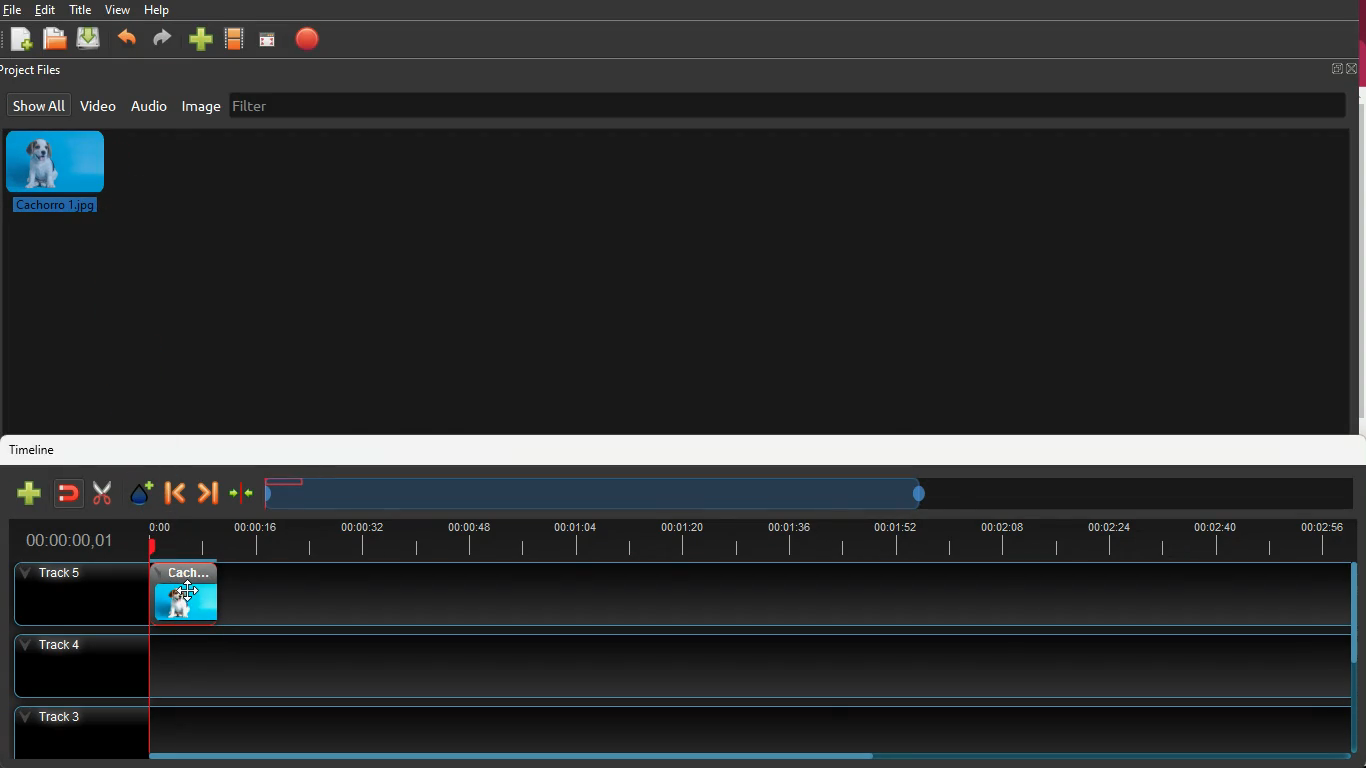 The width and height of the screenshot is (1366, 768). Describe the element at coordinates (38, 451) in the screenshot. I see `timeline` at that location.